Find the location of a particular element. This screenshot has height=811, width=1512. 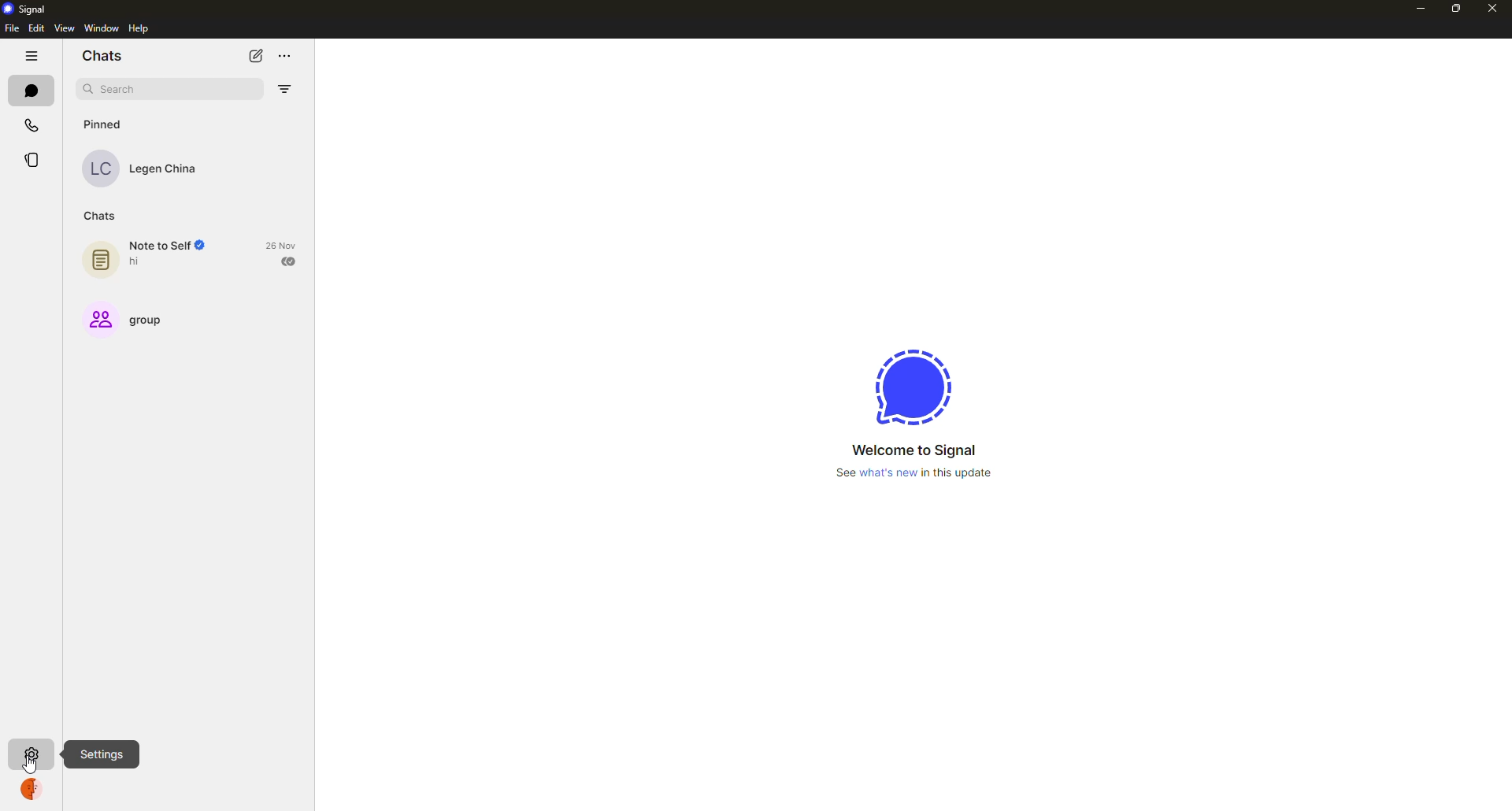

search is located at coordinates (120, 88).